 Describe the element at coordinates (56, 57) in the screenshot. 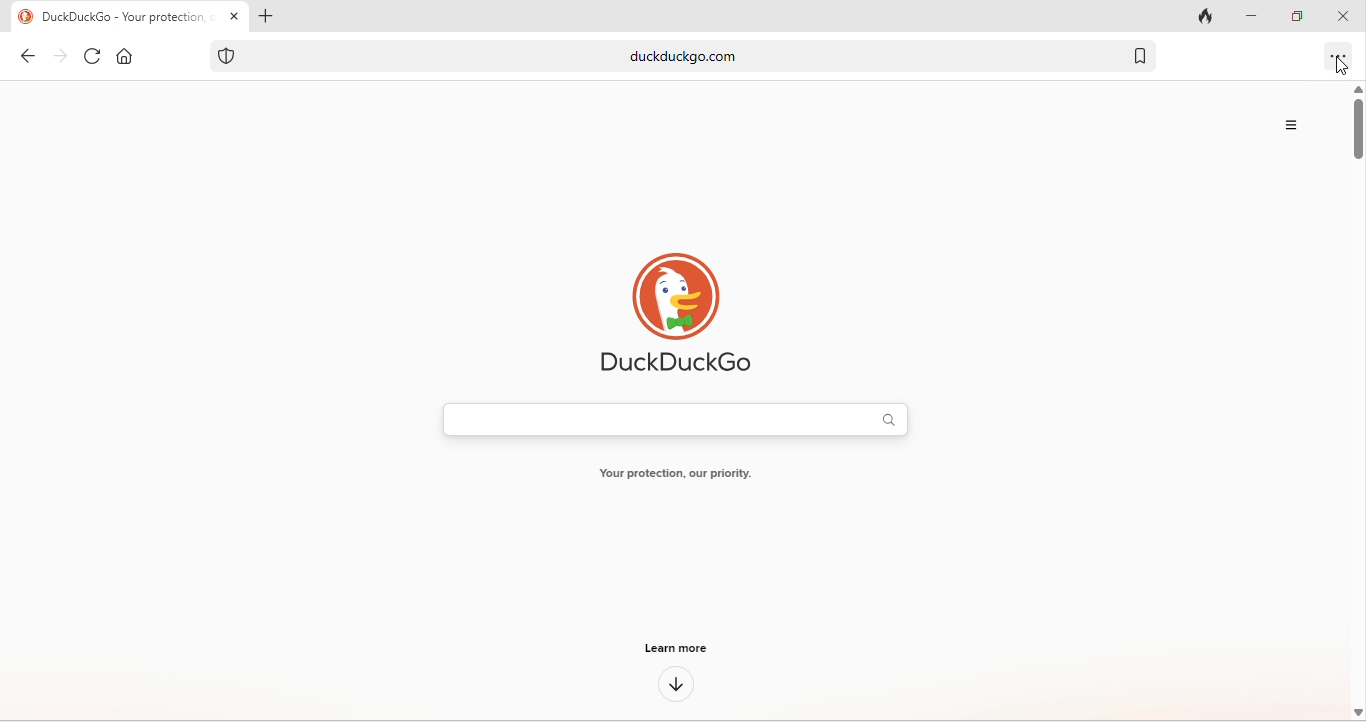

I see `forward` at that location.